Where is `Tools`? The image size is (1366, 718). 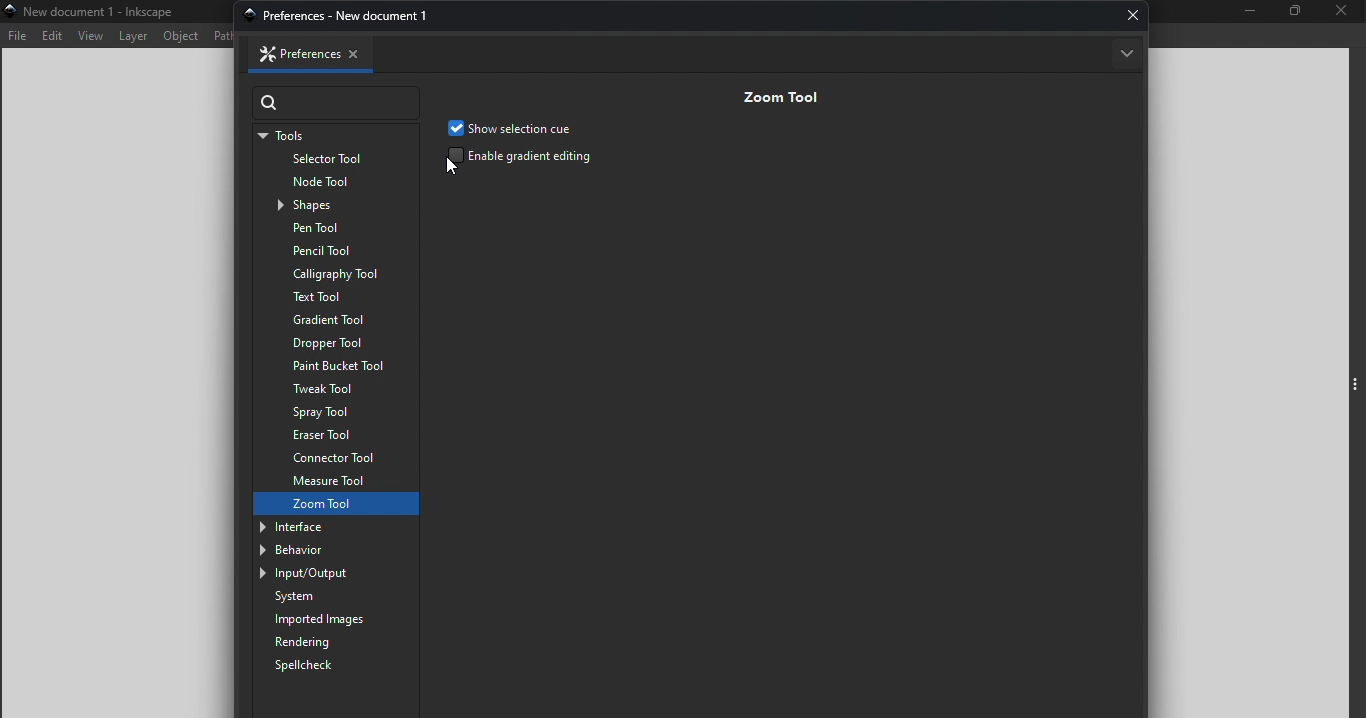
Tools is located at coordinates (333, 134).